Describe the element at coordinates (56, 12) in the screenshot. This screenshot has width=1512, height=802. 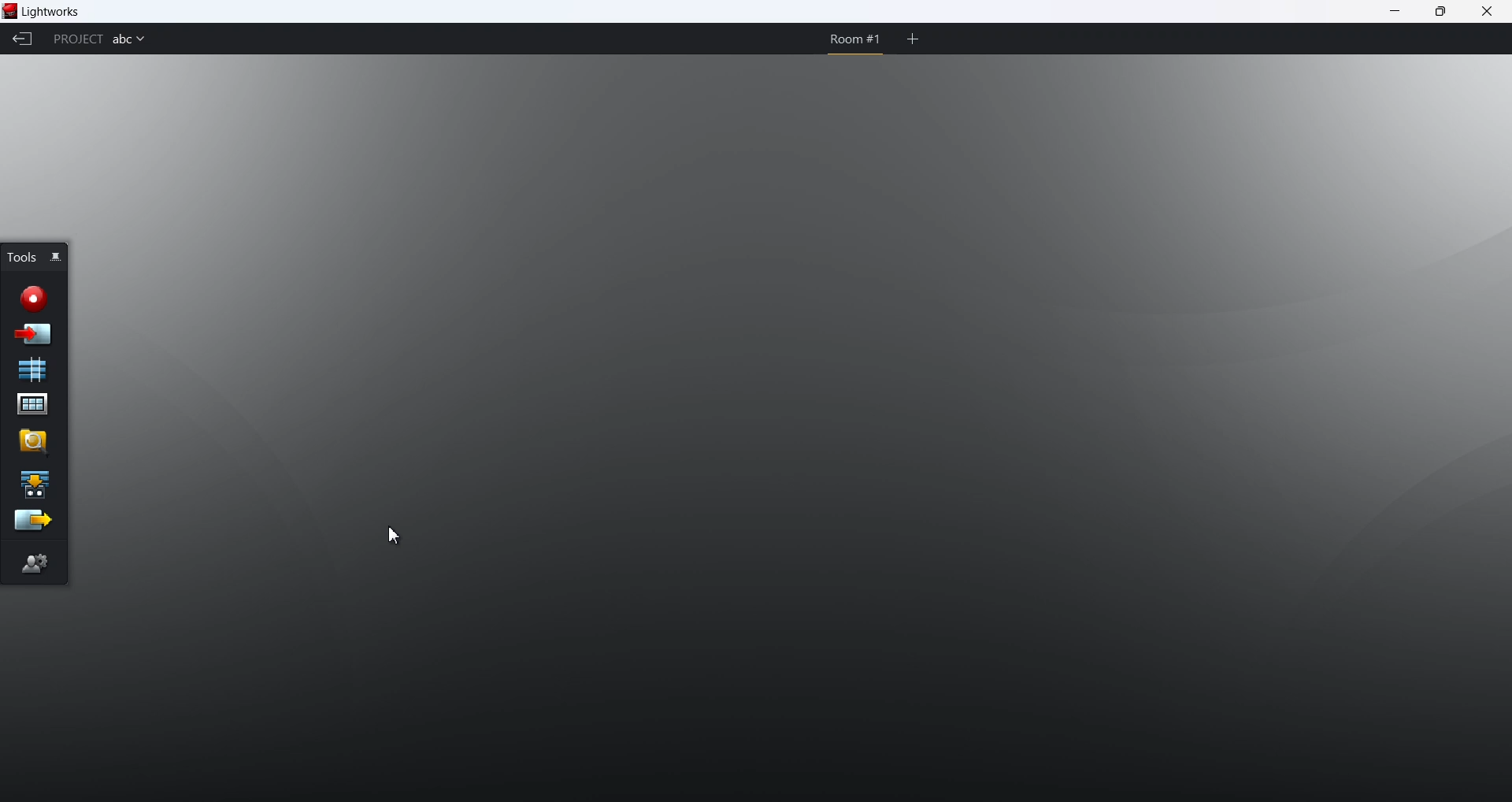
I see `lightworks` at that location.